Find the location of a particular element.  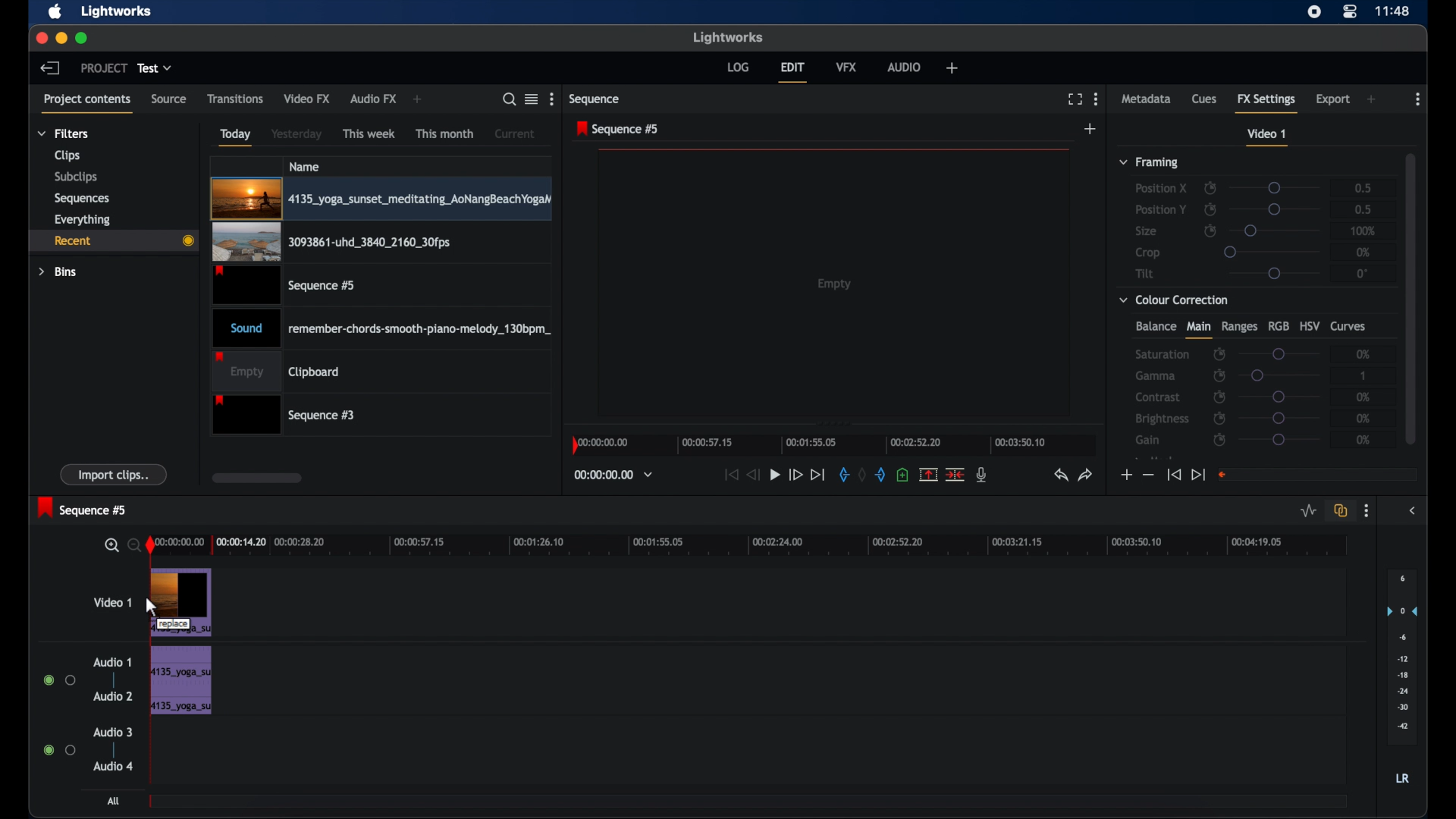

export is located at coordinates (1333, 99).